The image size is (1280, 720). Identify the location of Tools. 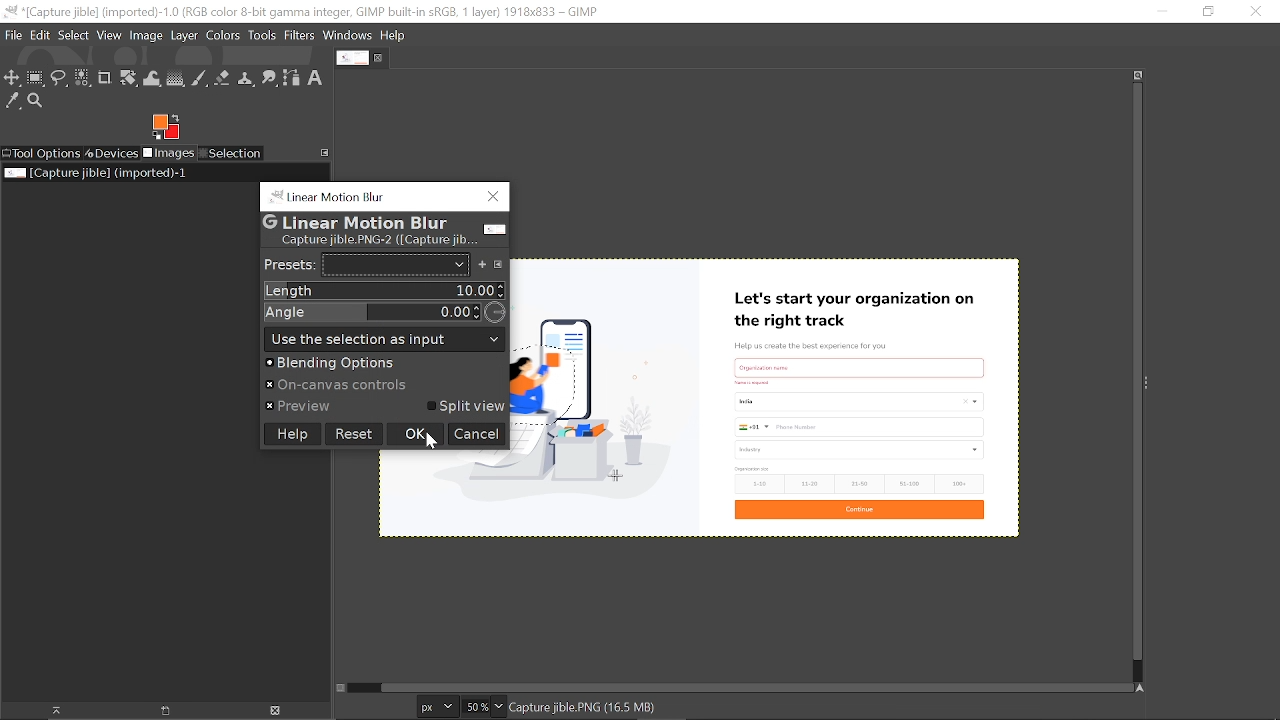
(262, 36).